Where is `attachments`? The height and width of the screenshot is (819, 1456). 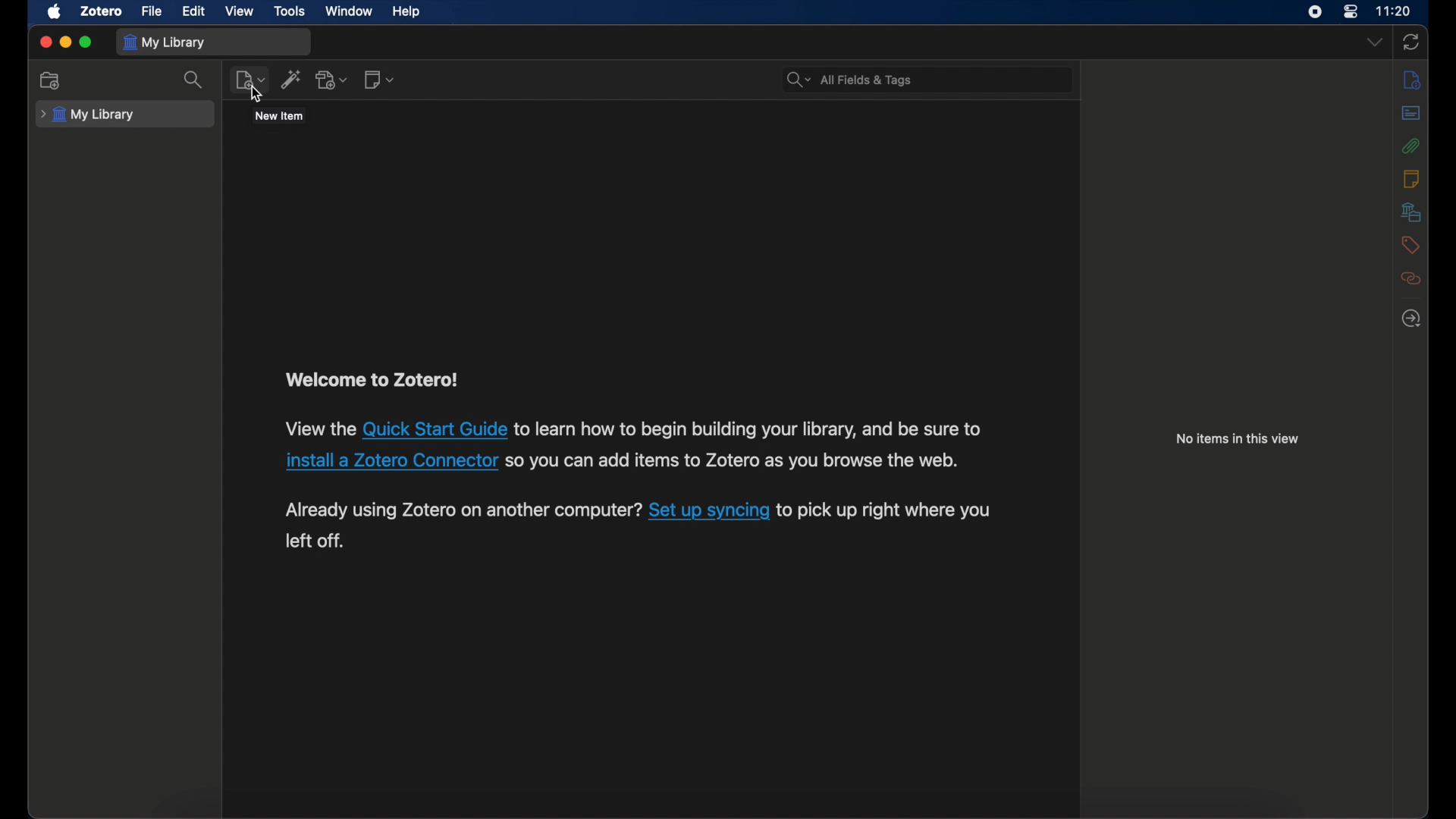 attachments is located at coordinates (1410, 146).